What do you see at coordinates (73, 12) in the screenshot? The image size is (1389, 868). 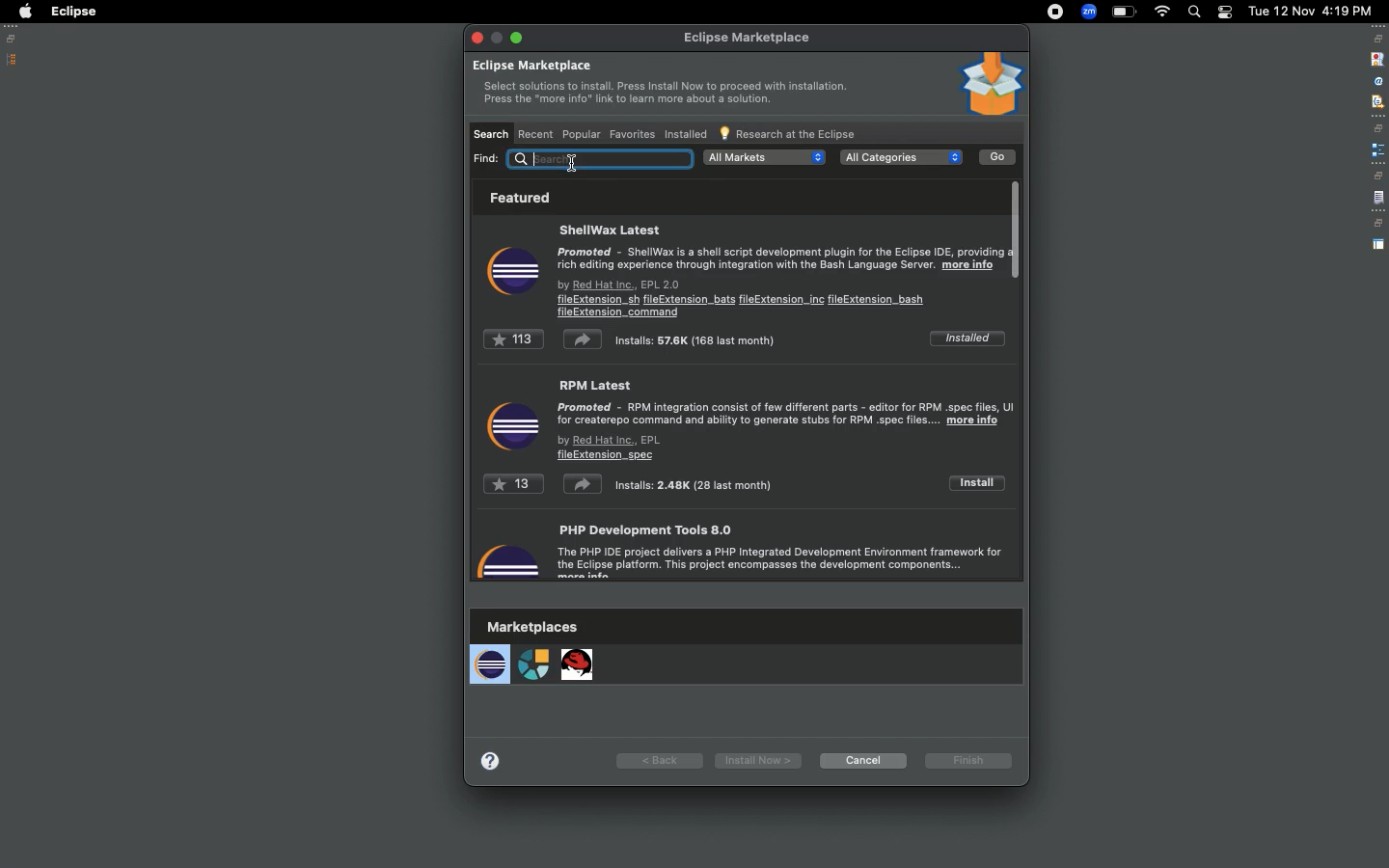 I see `Eclipse` at bounding box center [73, 12].